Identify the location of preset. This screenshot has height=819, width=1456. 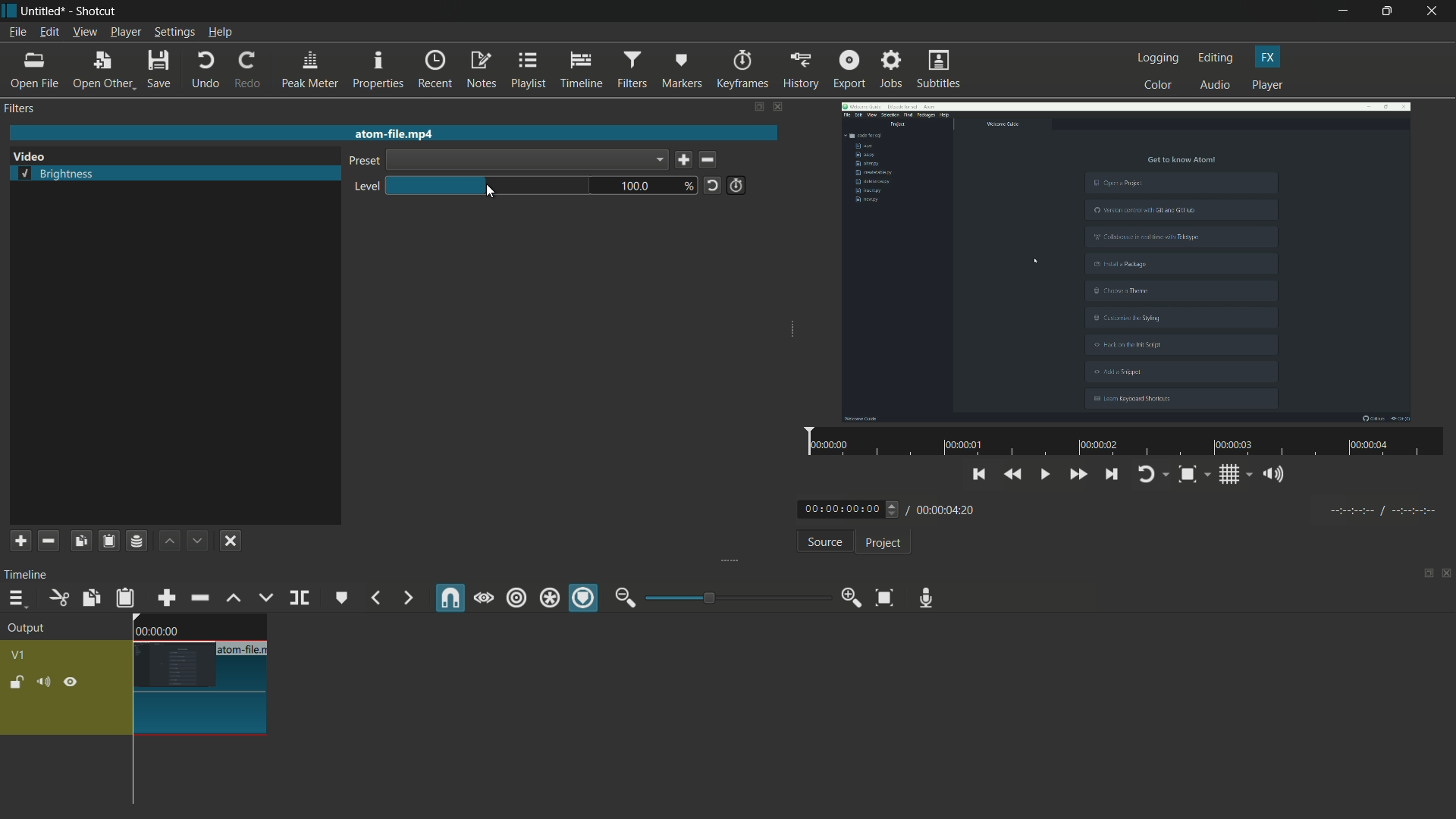
(362, 162).